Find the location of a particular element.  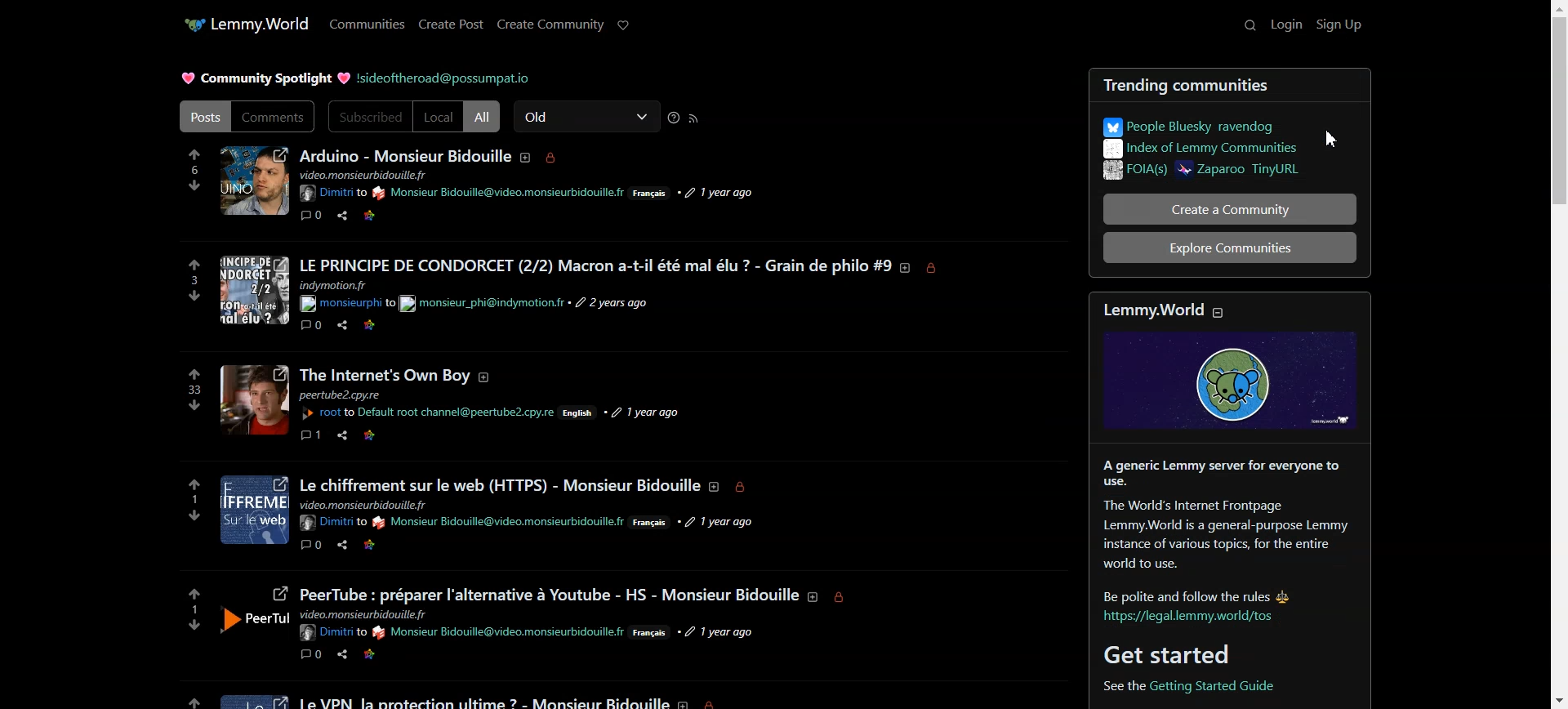

Hyperlink is located at coordinates (498, 631).